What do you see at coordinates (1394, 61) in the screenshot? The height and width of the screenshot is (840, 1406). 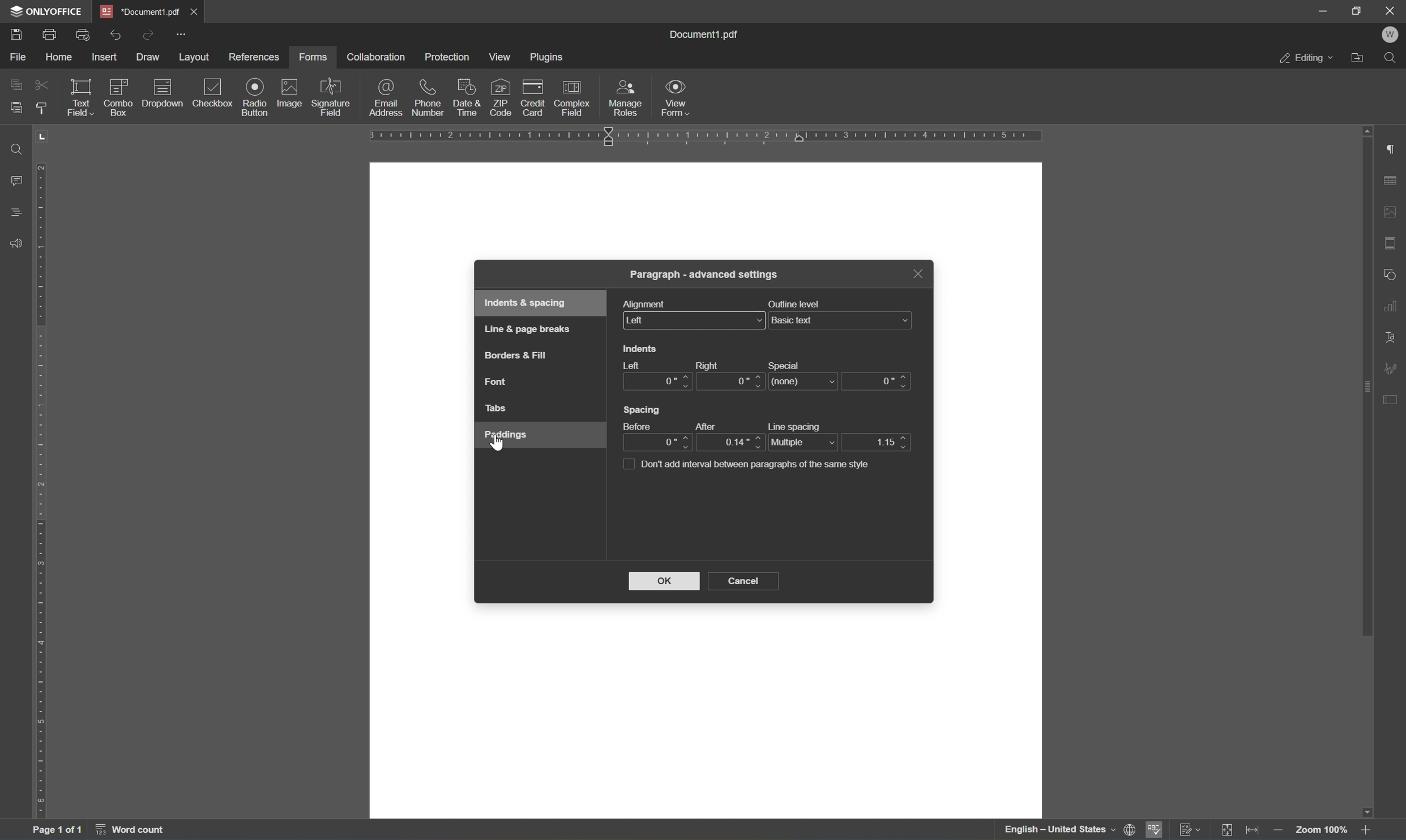 I see `Find` at bounding box center [1394, 61].